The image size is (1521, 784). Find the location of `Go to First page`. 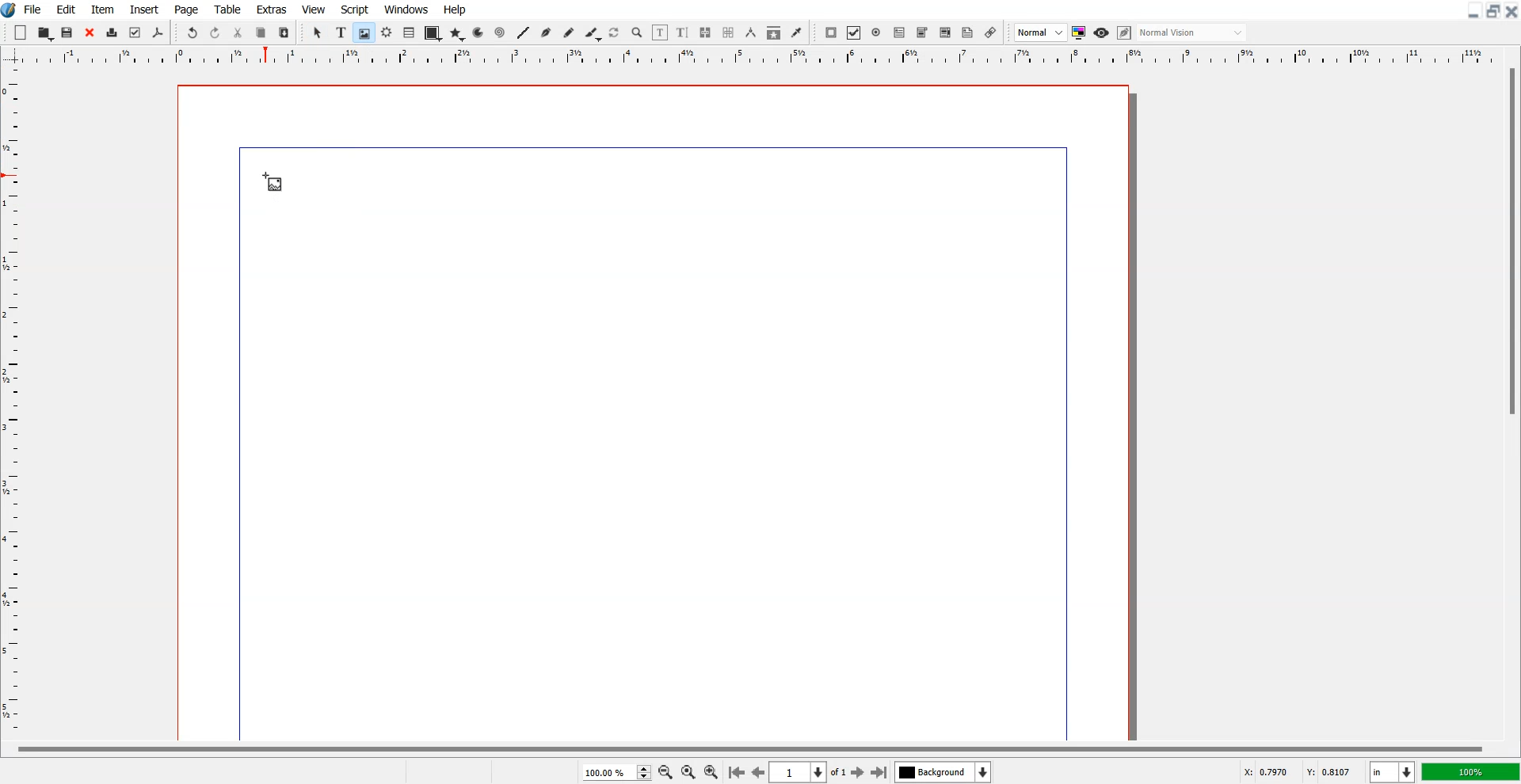

Go to First page is located at coordinates (737, 771).